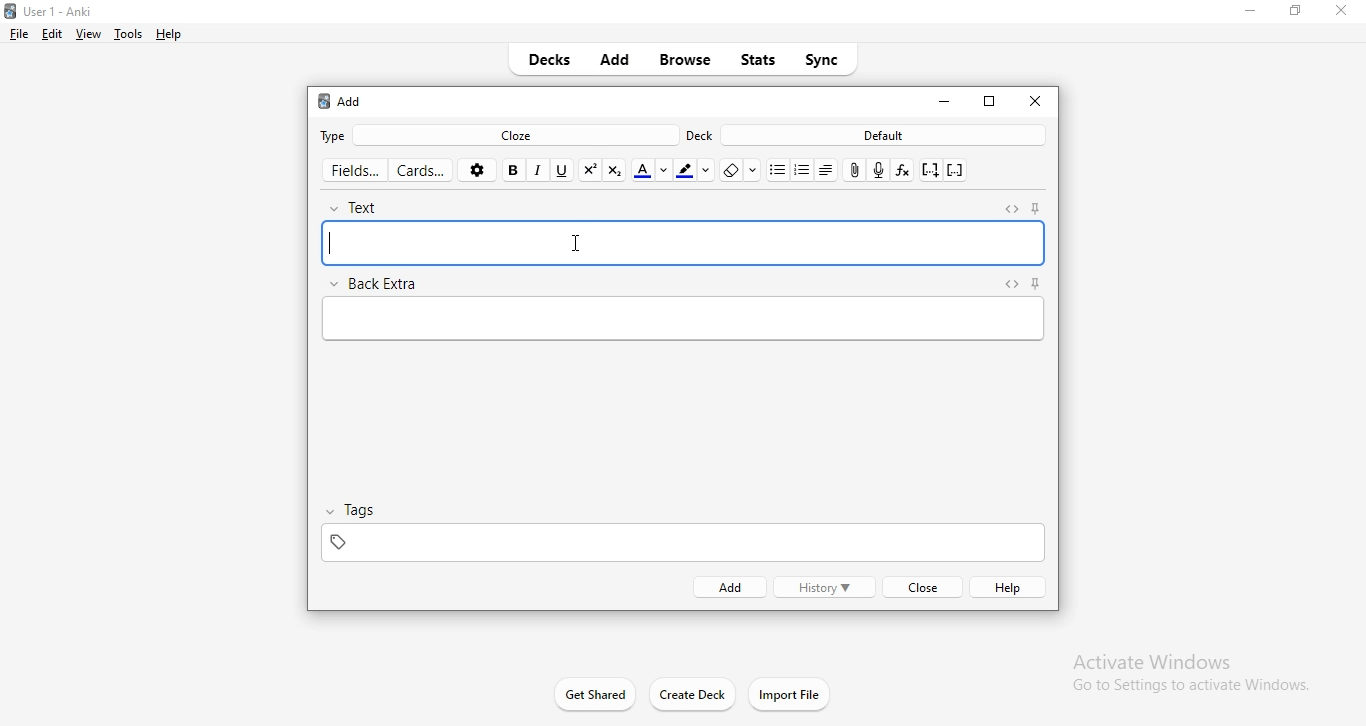 Image resolution: width=1366 pixels, height=726 pixels. I want to click on restore, so click(1292, 16).